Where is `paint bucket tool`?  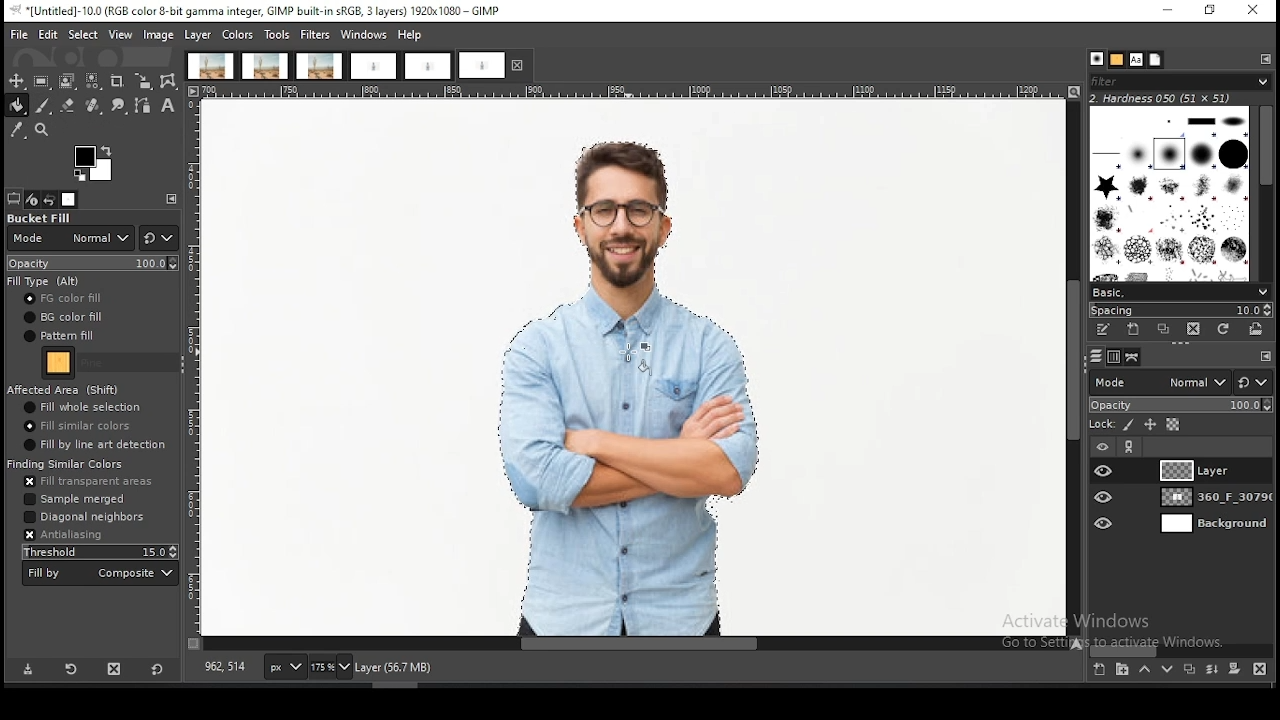 paint bucket tool is located at coordinates (15, 106).